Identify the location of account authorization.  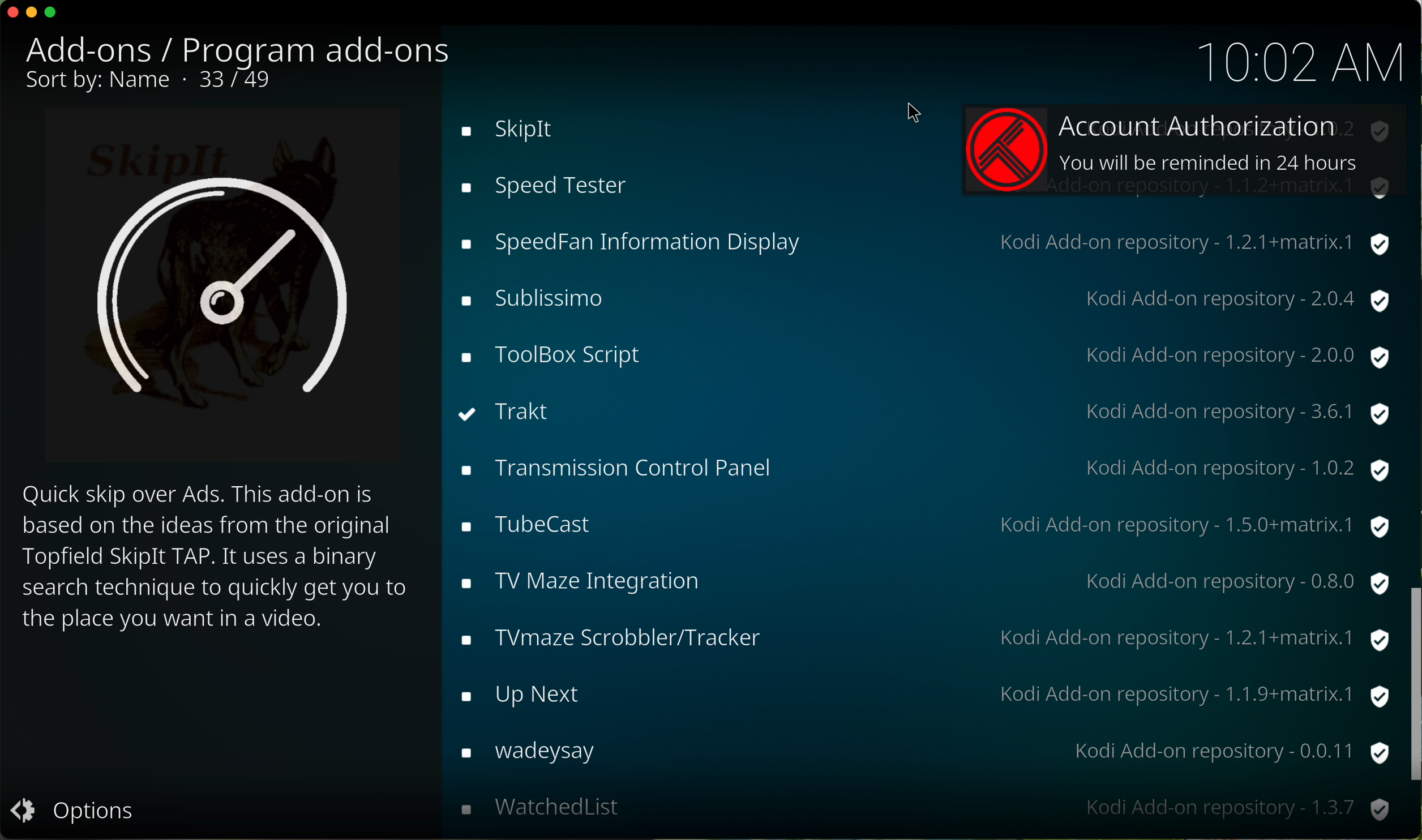
(1189, 149).